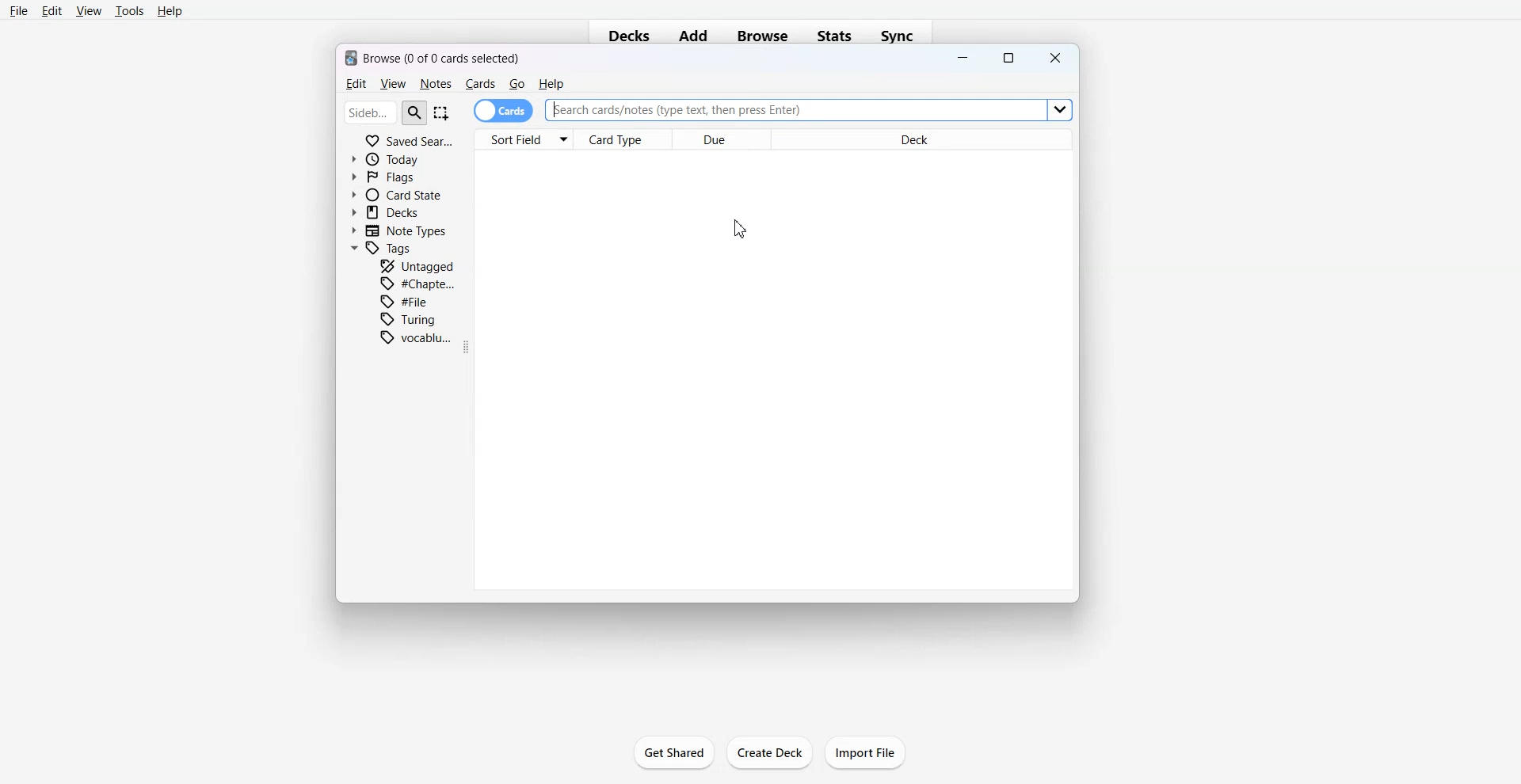 Image resolution: width=1521 pixels, height=784 pixels. I want to click on Go, so click(517, 84).